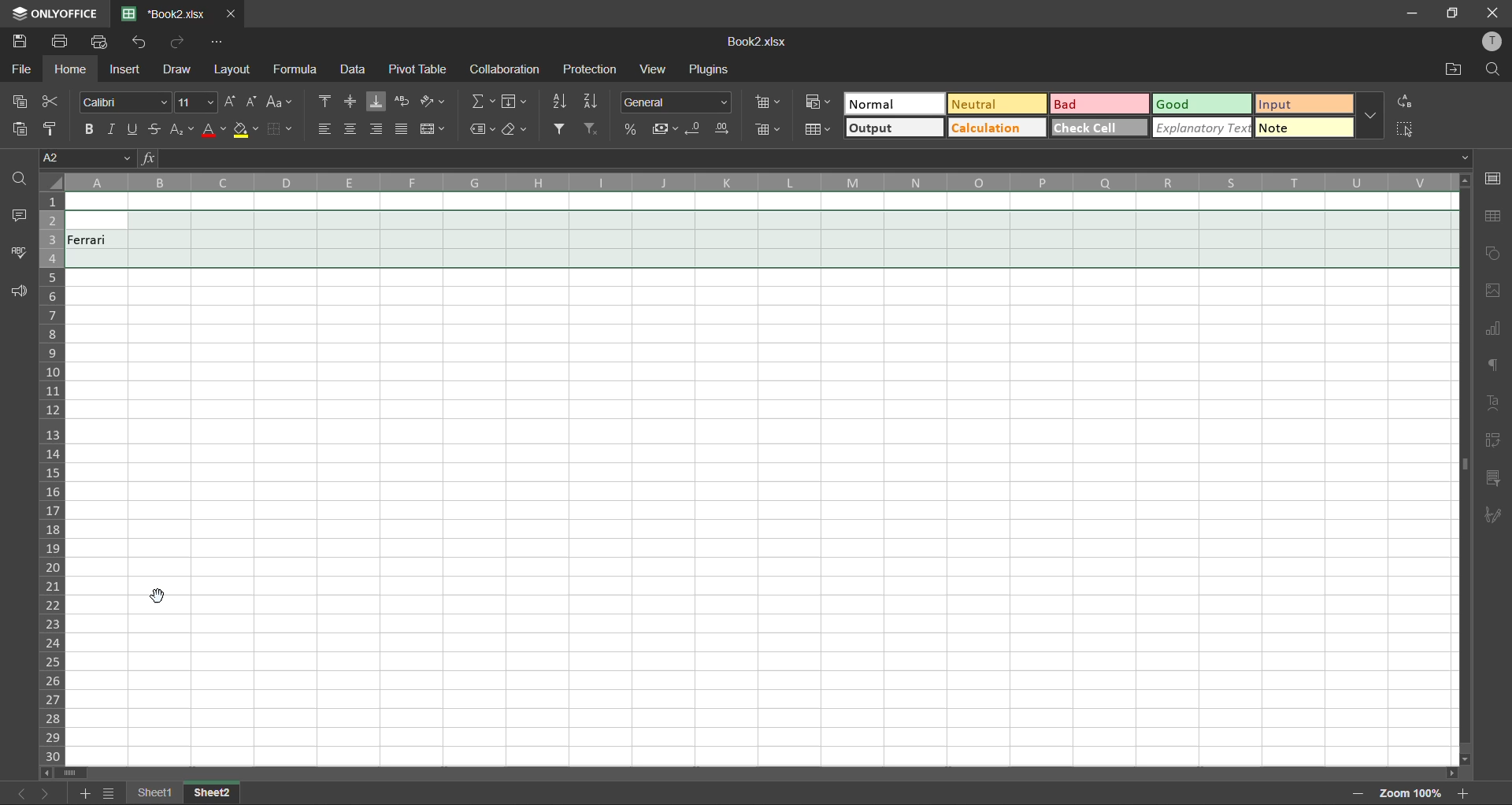  Describe the element at coordinates (1204, 103) in the screenshot. I see `good` at that location.